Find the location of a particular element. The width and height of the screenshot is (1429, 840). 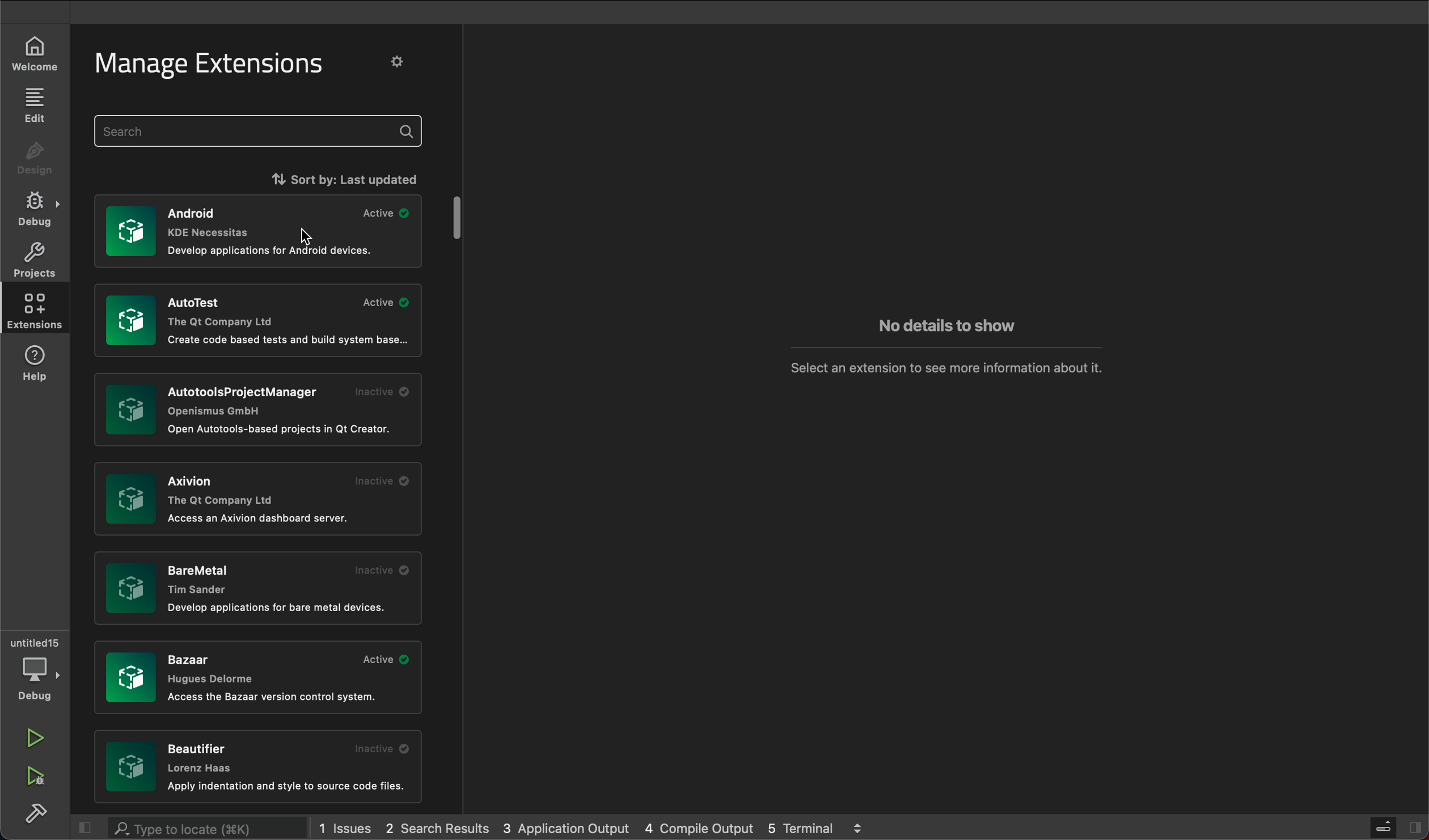

logs is located at coordinates (567, 830).